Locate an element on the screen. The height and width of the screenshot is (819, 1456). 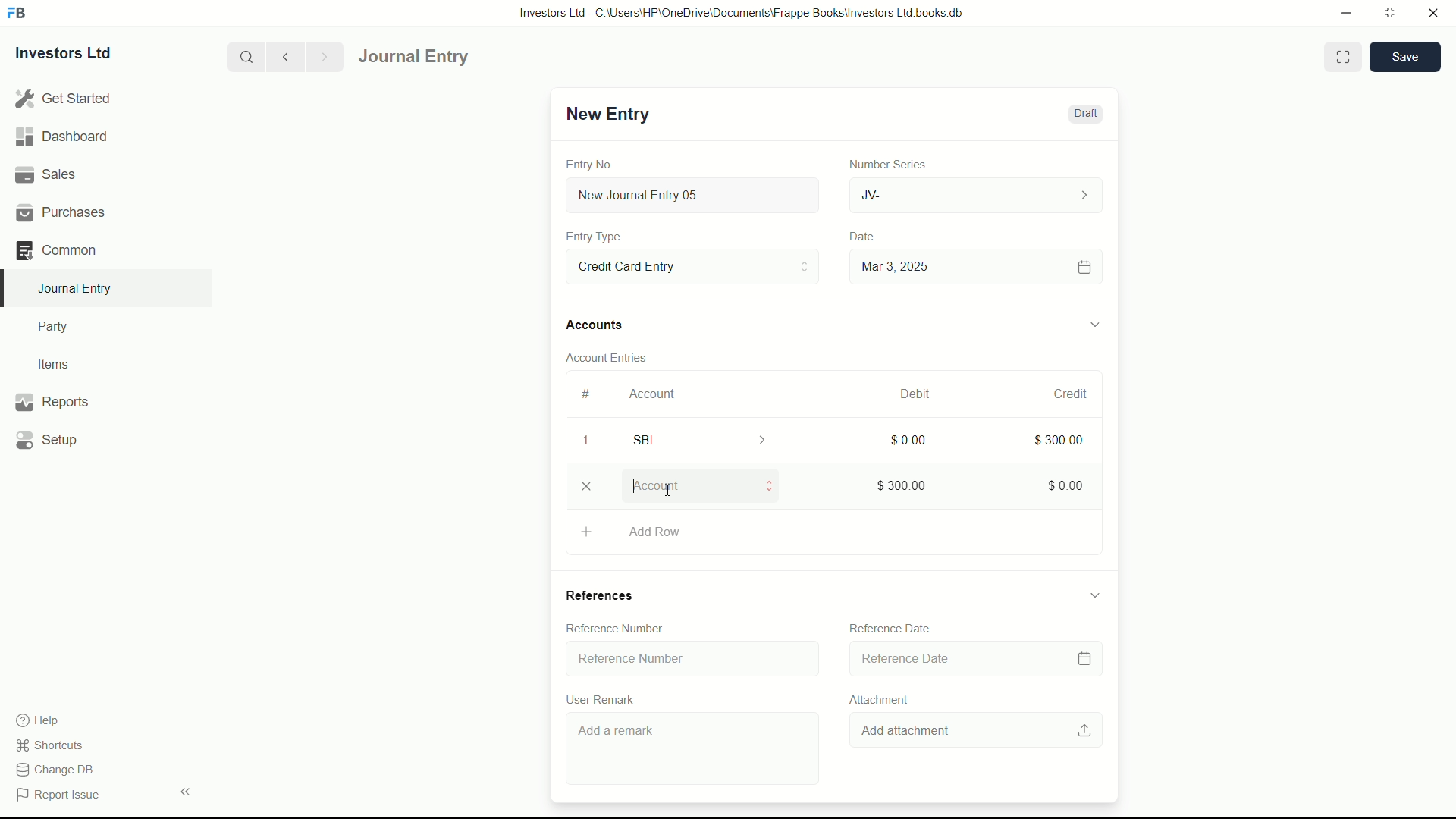
Reference Date is located at coordinates (971, 660).